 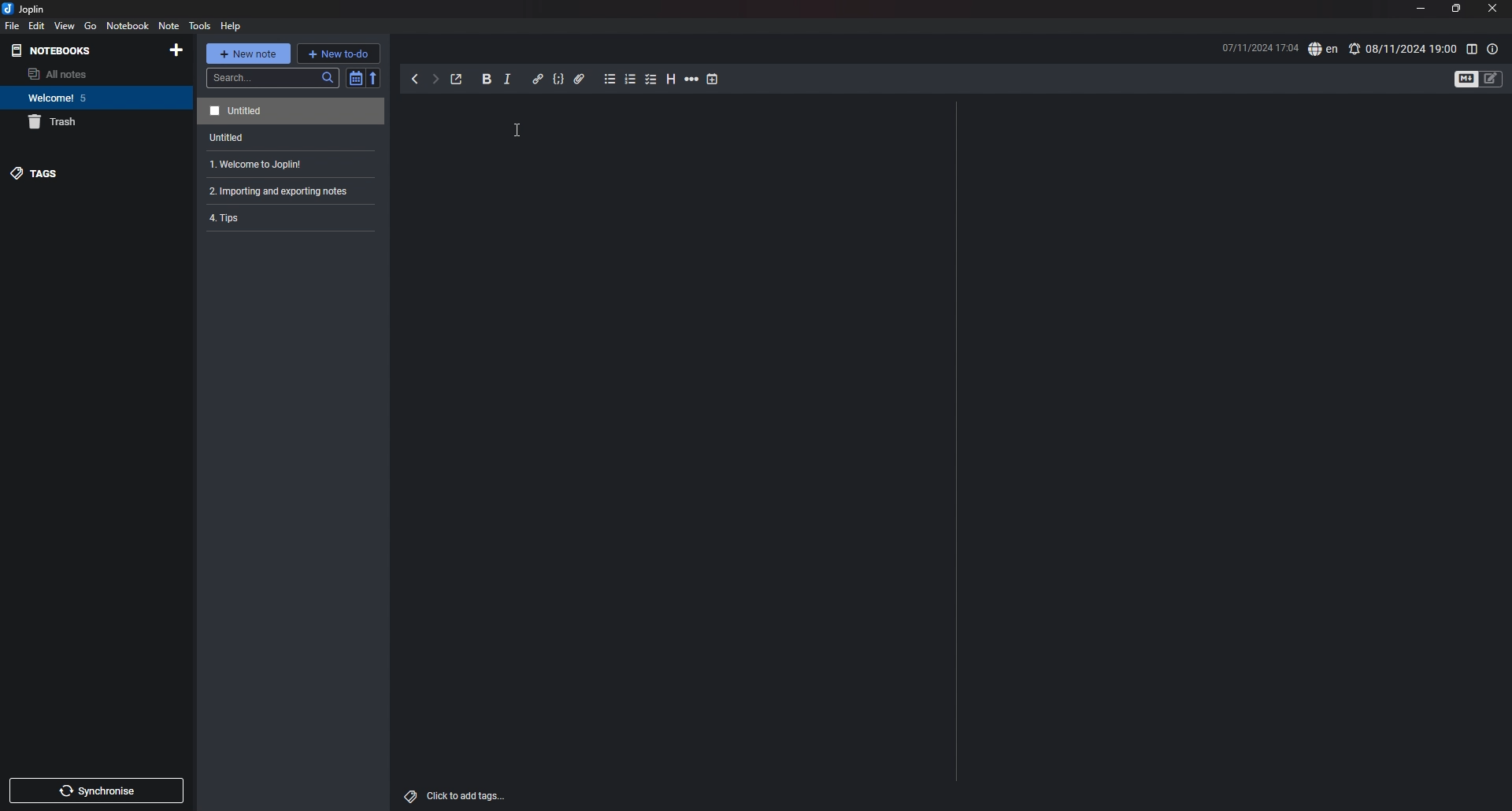 What do you see at coordinates (1419, 8) in the screenshot?
I see `minimize` at bounding box center [1419, 8].